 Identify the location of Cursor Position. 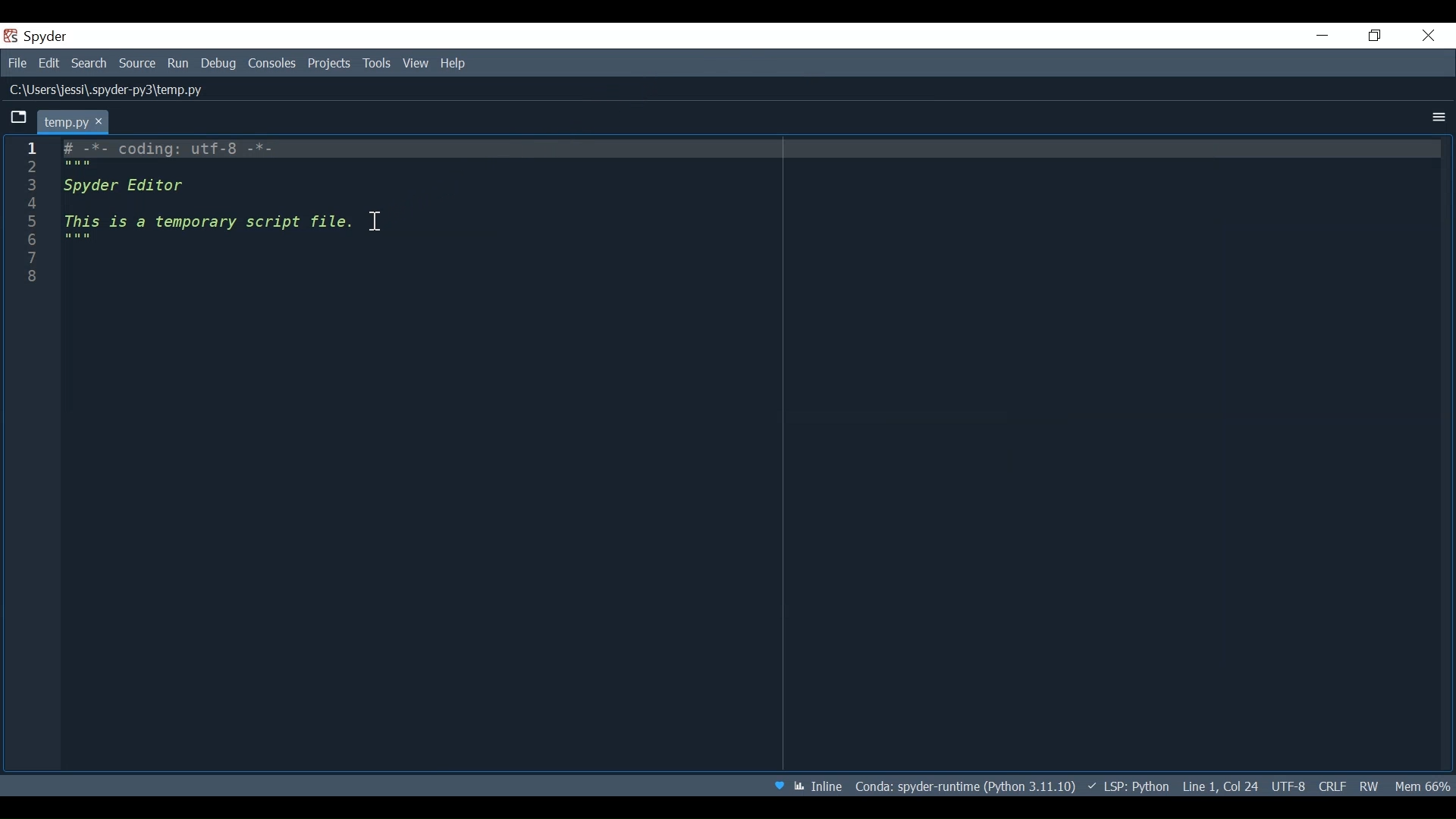
(1222, 786).